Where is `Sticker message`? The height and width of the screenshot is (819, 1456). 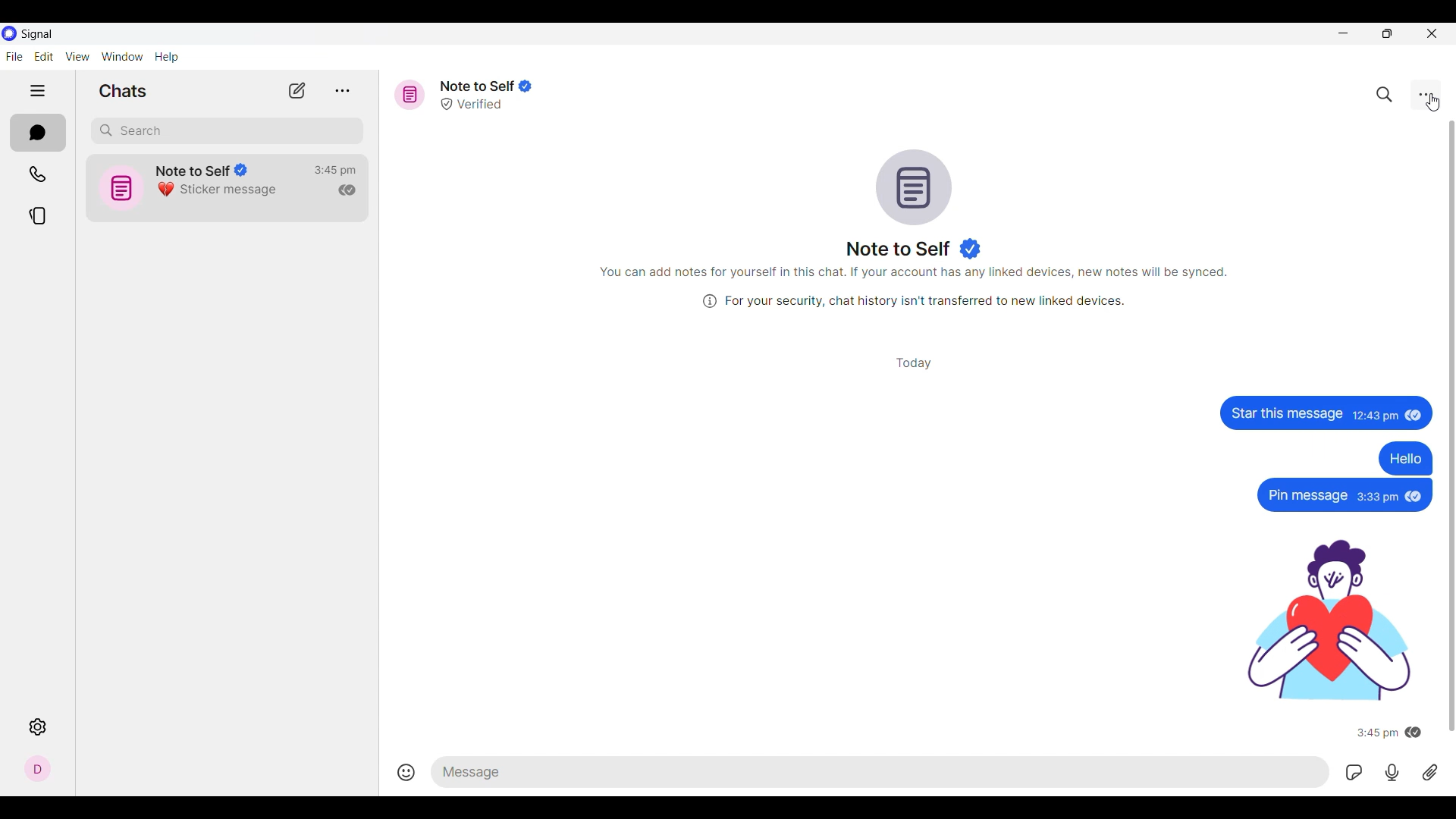 Sticker message is located at coordinates (219, 190).